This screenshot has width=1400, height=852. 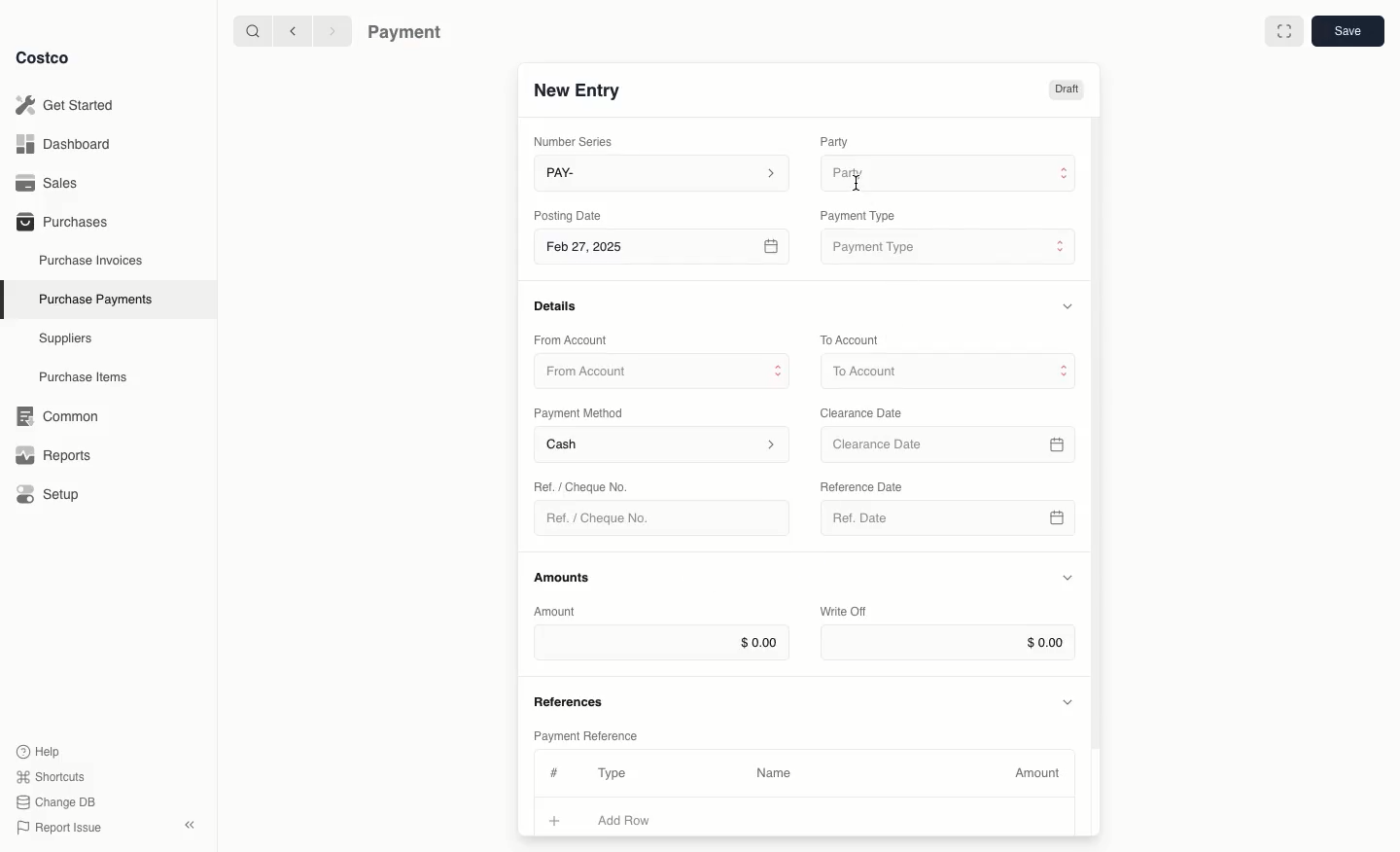 I want to click on From Account, so click(x=662, y=370).